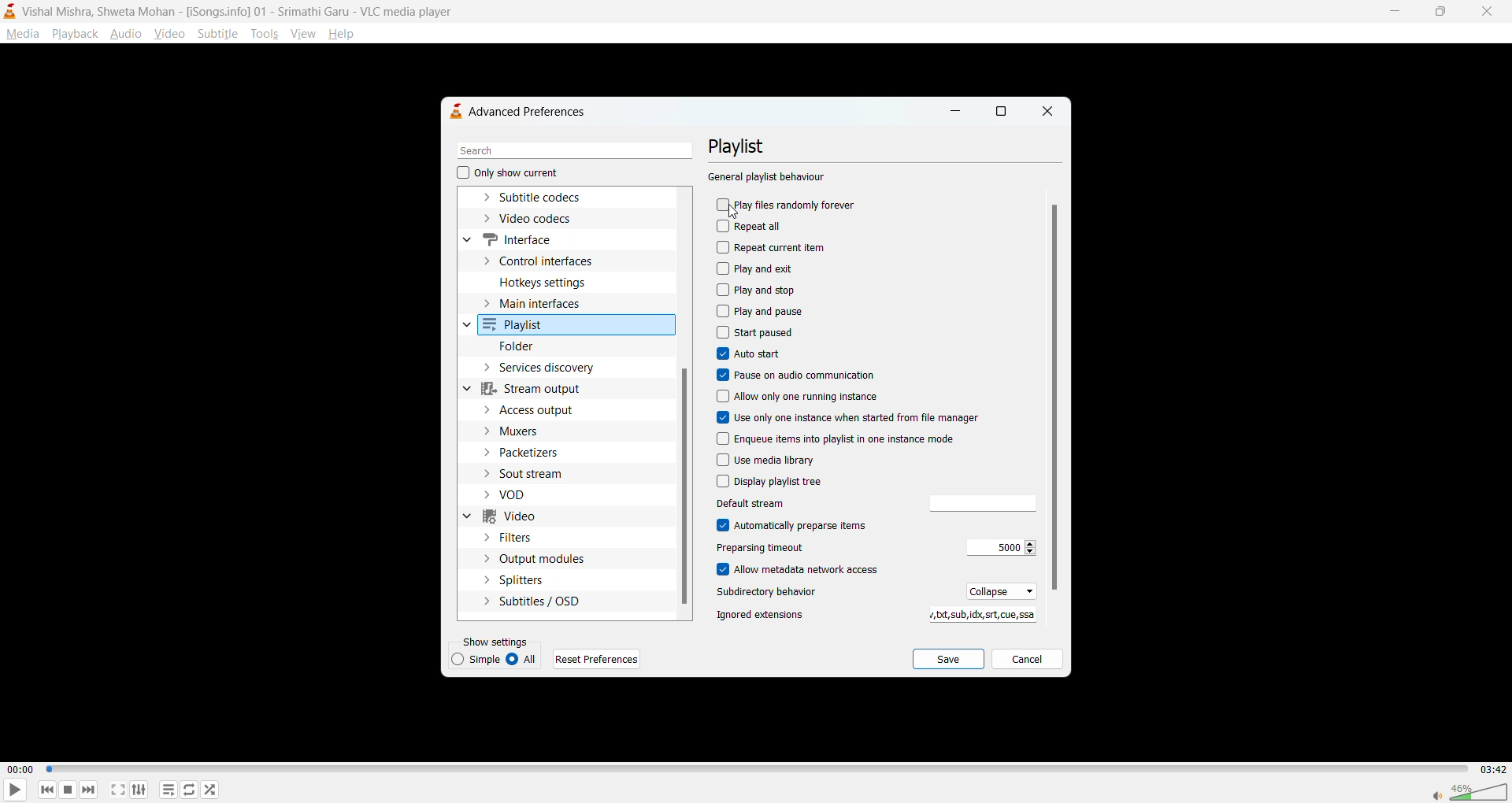 The image size is (1512, 803). What do you see at coordinates (519, 238) in the screenshot?
I see `interface` at bounding box center [519, 238].